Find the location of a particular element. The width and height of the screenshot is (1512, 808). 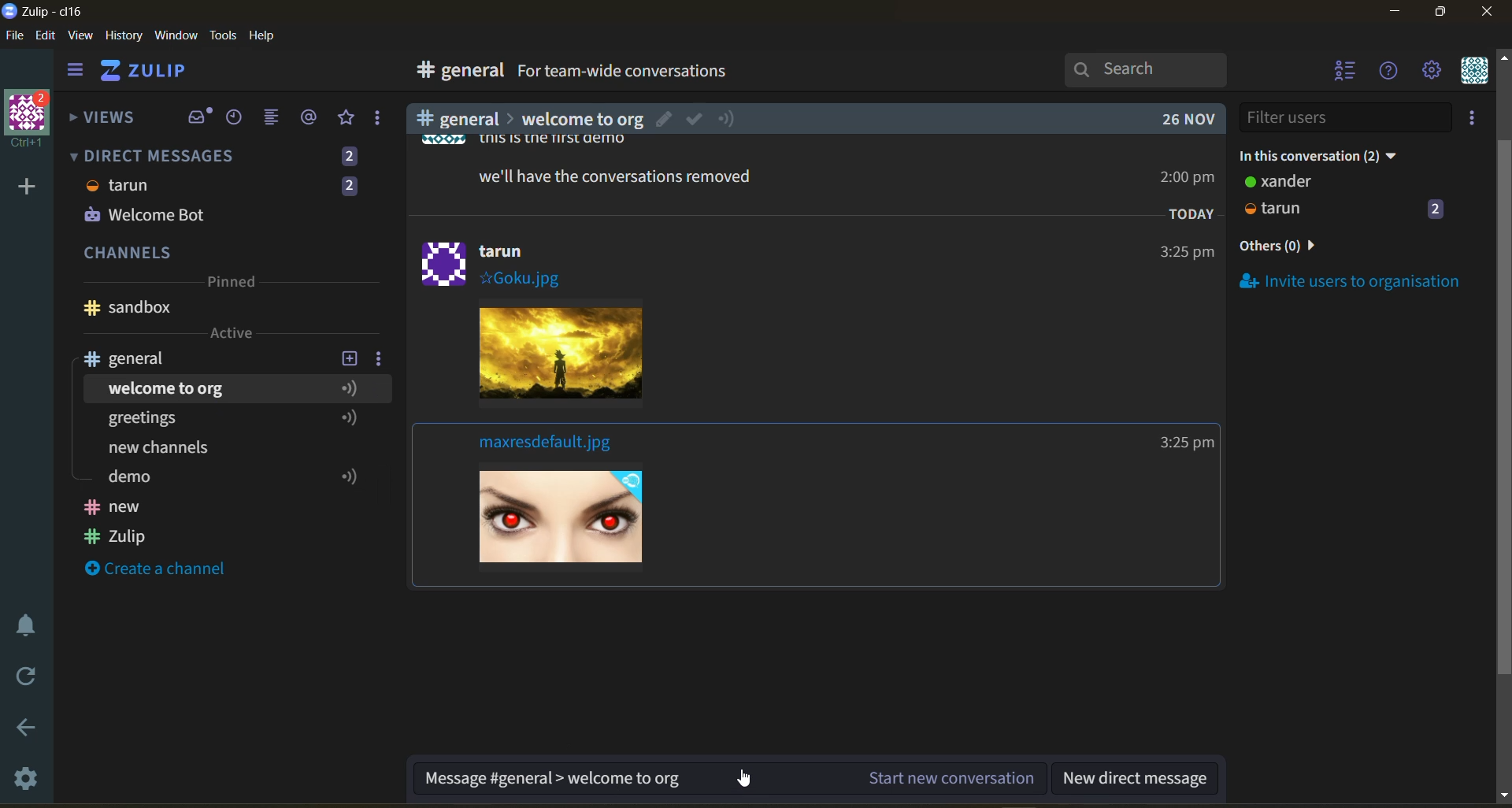

direct messages is located at coordinates (228, 154).